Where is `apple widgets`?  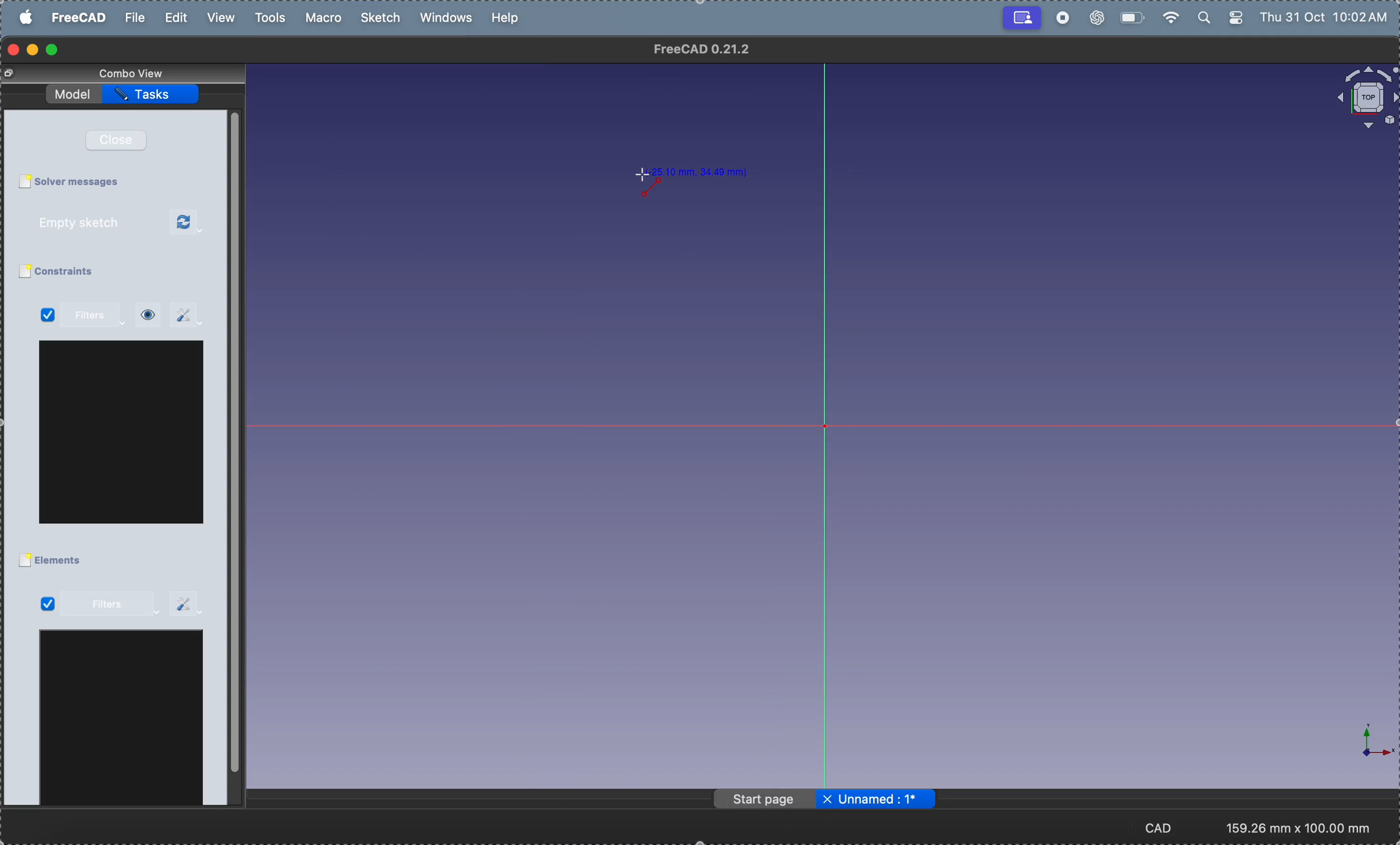
apple widgets is located at coordinates (1222, 18).